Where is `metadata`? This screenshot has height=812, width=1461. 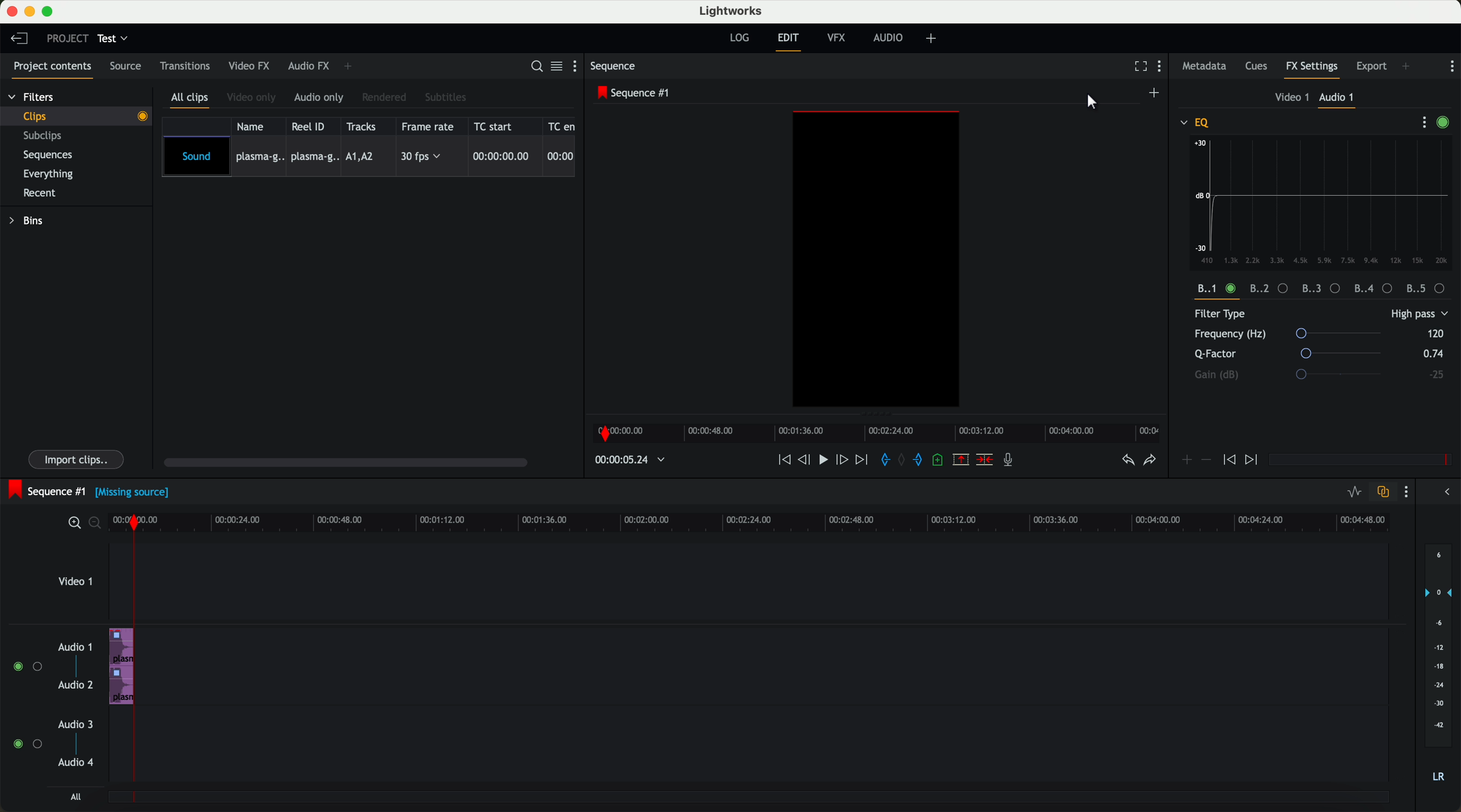
metadata is located at coordinates (1204, 67).